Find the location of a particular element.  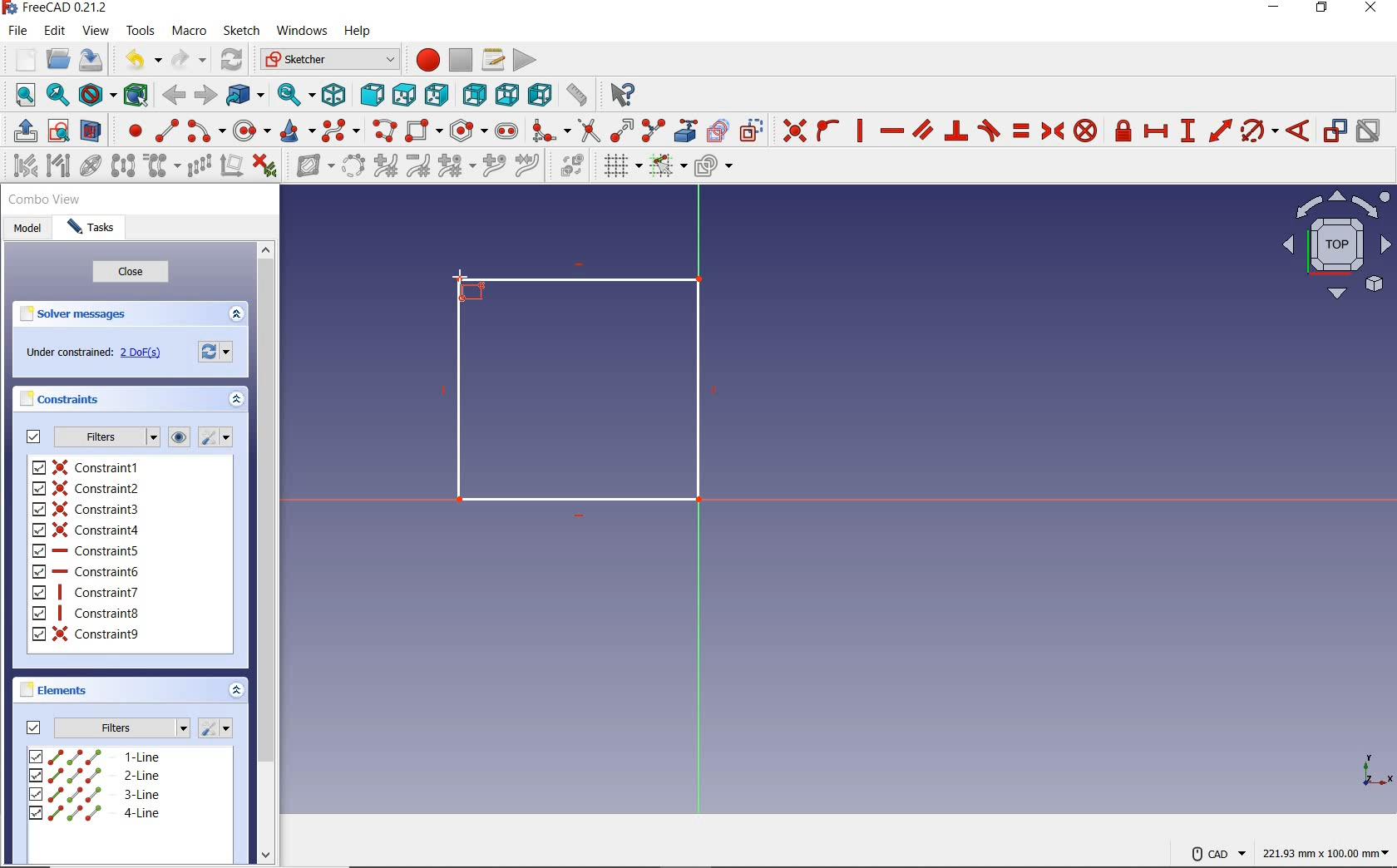

Under constrained: 2 DoF (s) is located at coordinates (92, 355).